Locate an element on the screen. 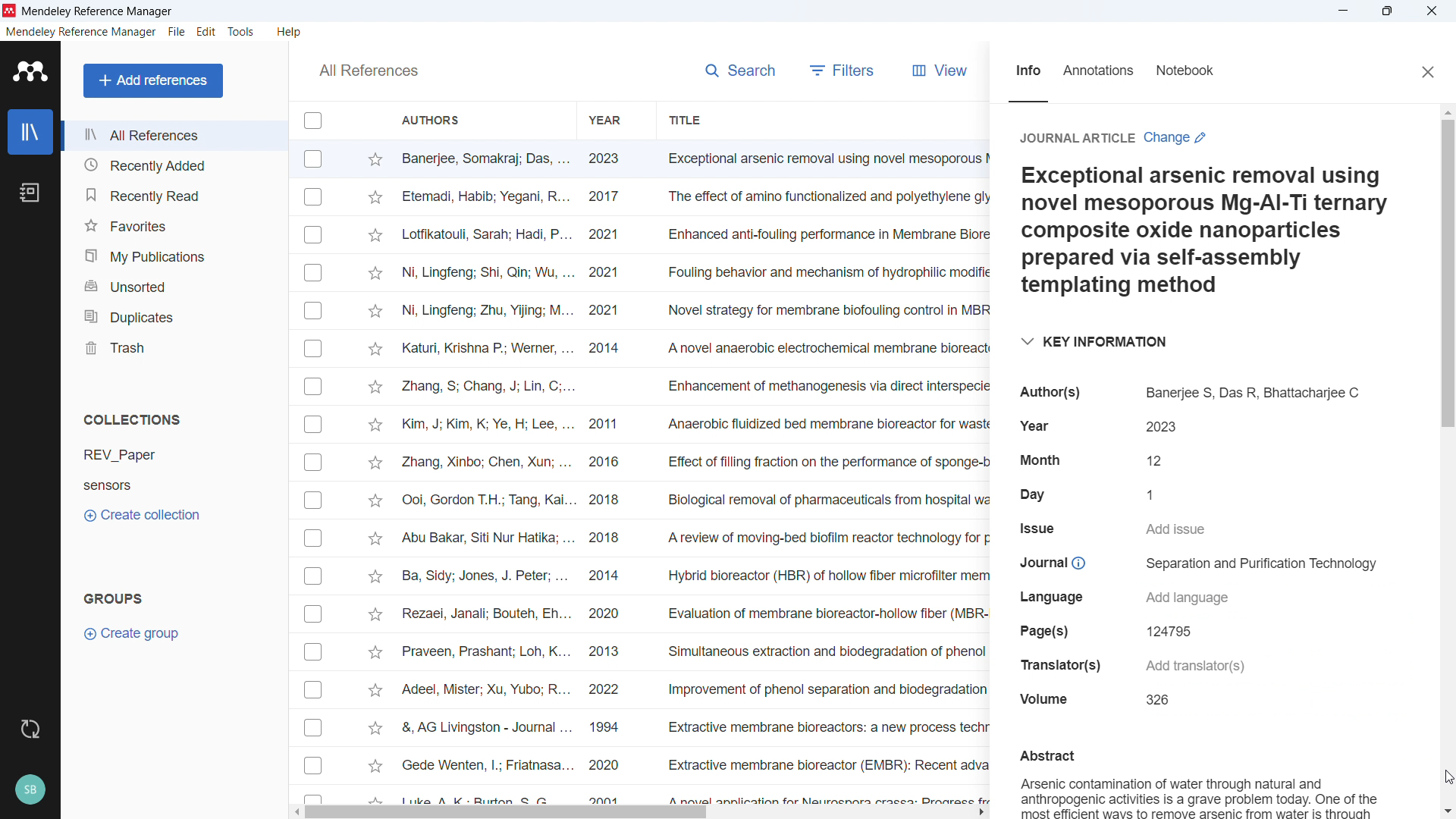 This screenshot has height=819, width=1456. fouling behavior and mechanism of hydrophilic modified membrane in anam is located at coordinates (820, 273).